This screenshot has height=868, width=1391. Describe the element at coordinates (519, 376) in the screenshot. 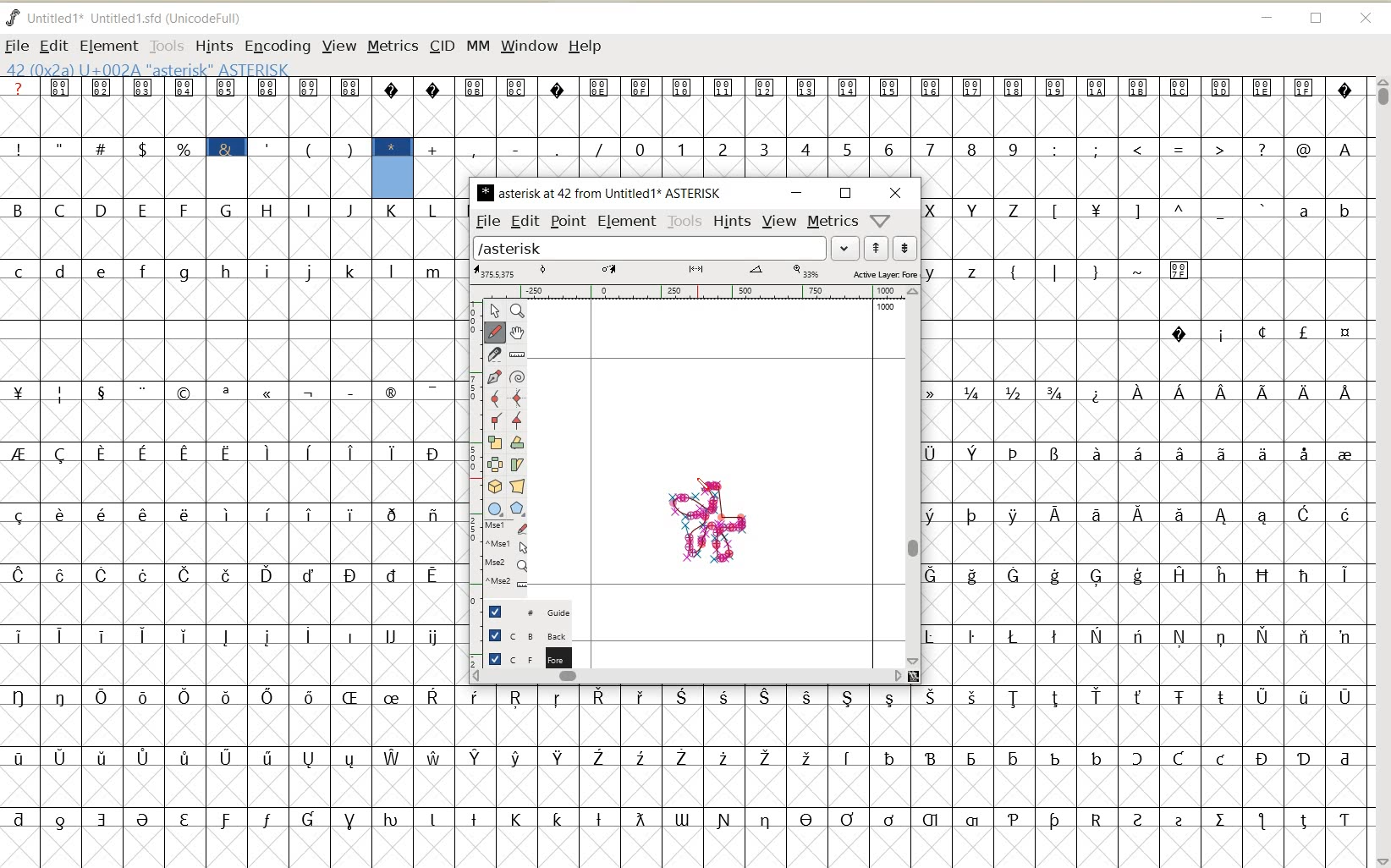

I see `change whether spiro is active or not` at that location.